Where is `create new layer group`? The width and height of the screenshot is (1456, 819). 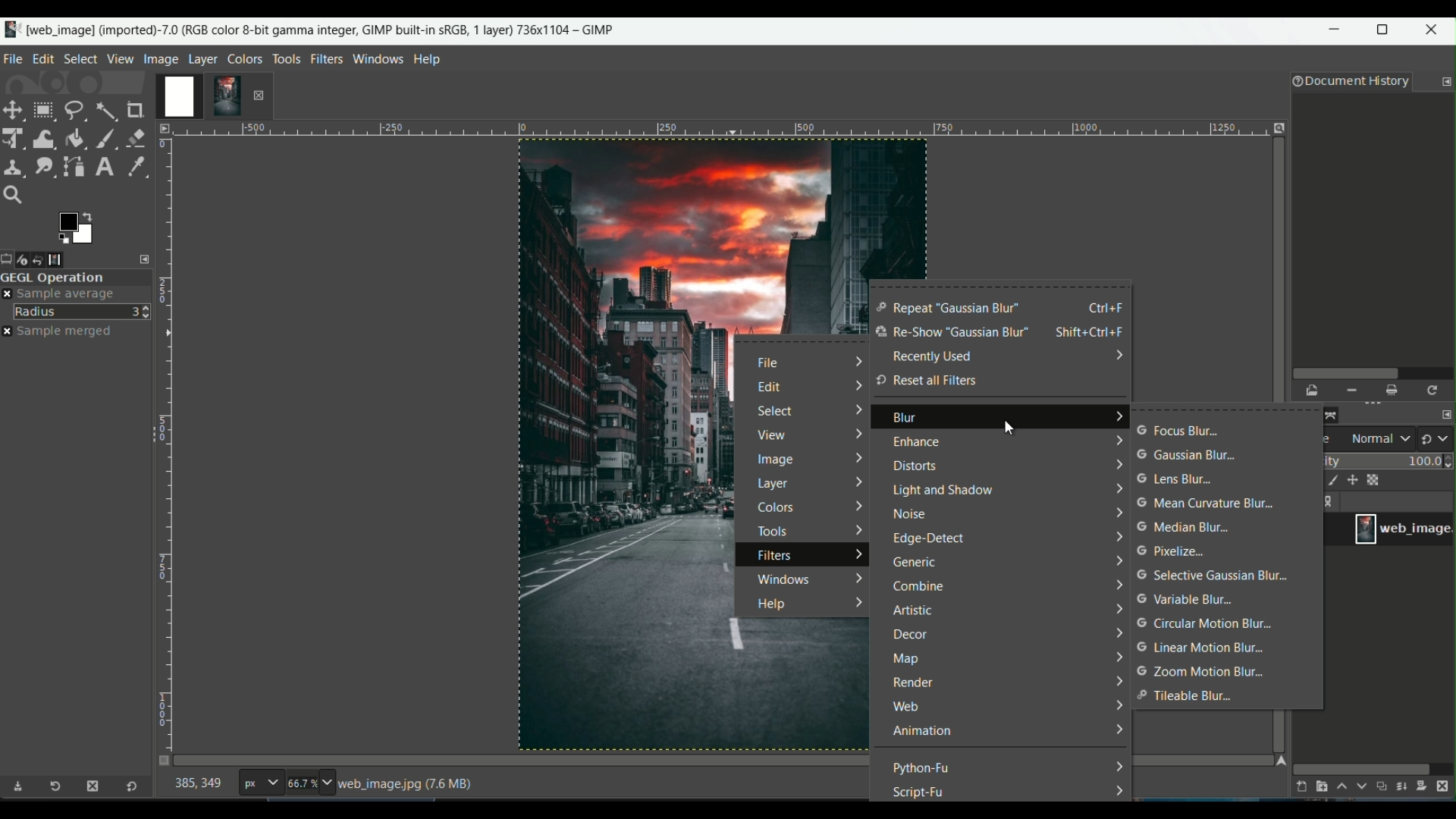 create new layer group is located at coordinates (1320, 786).